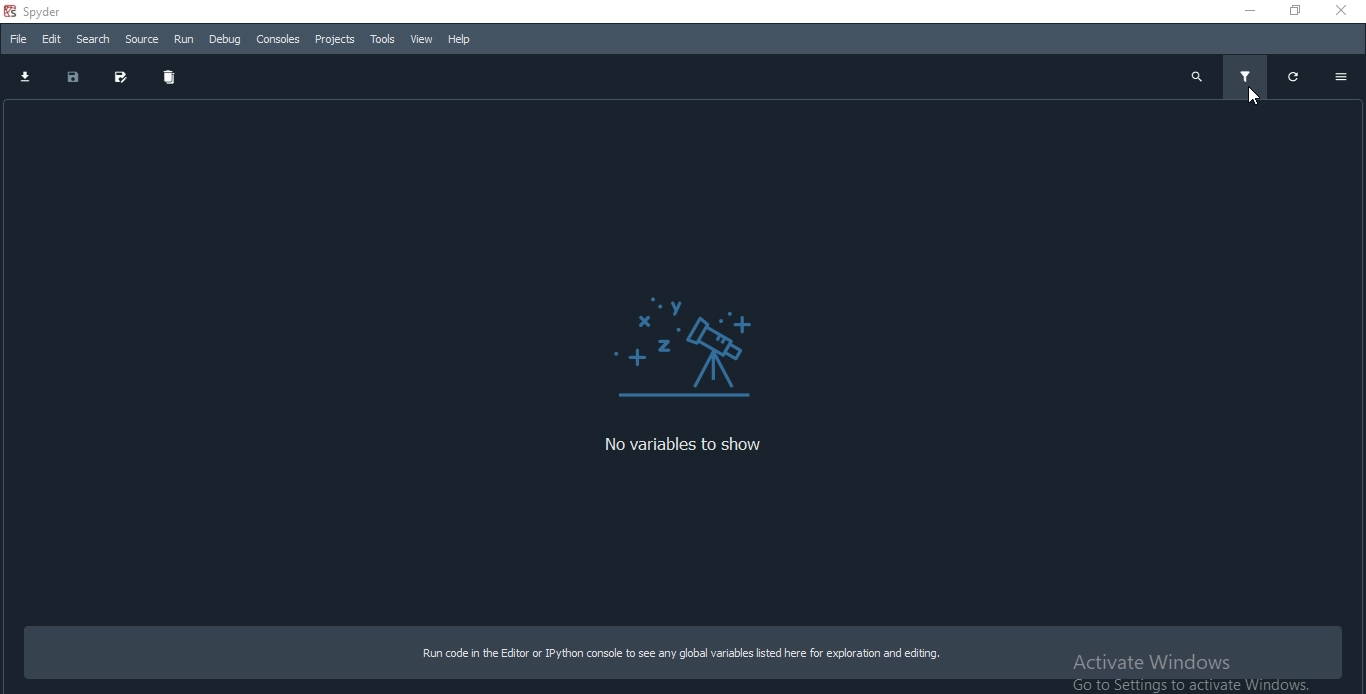 This screenshot has width=1366, height=694. What do you see at coordinates (19, 38) in the screenshot?
I see `File ` at bounding box center [19, 38].